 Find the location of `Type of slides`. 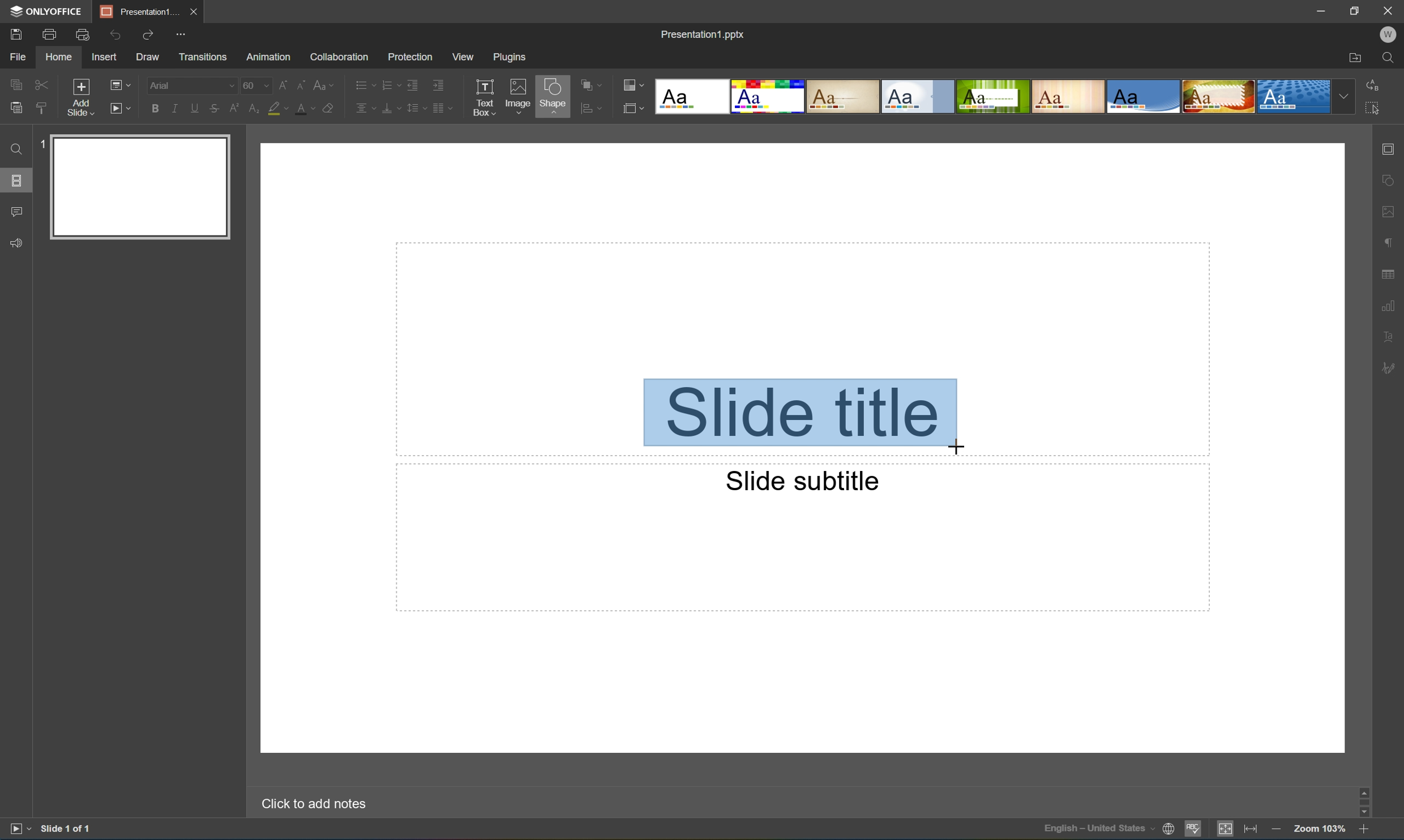

Type of slides is located at coordinates (1003, 97).